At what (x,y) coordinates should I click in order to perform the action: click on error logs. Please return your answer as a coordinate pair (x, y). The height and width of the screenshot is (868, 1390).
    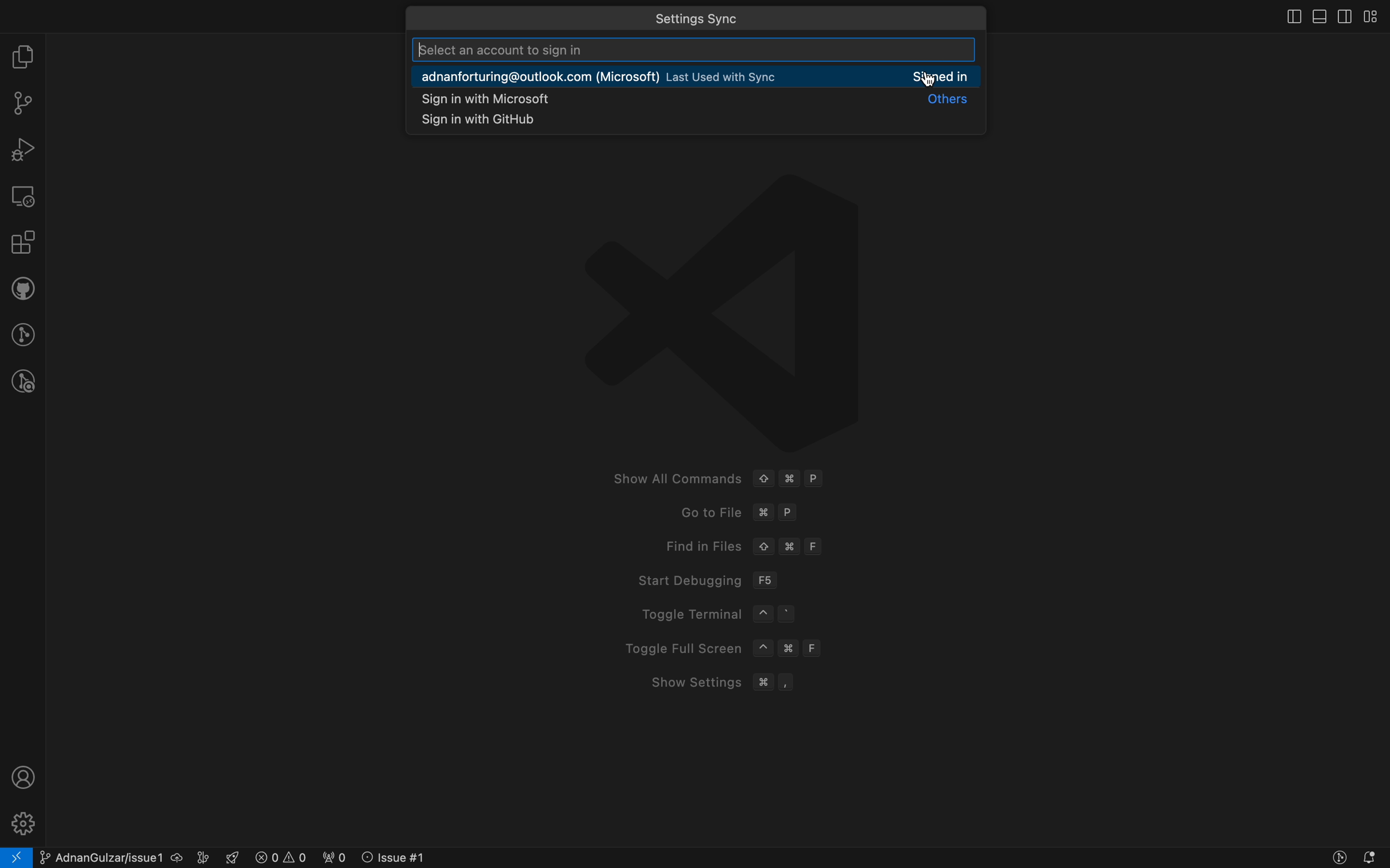
    Looking at the image, I should click on (333, 857).